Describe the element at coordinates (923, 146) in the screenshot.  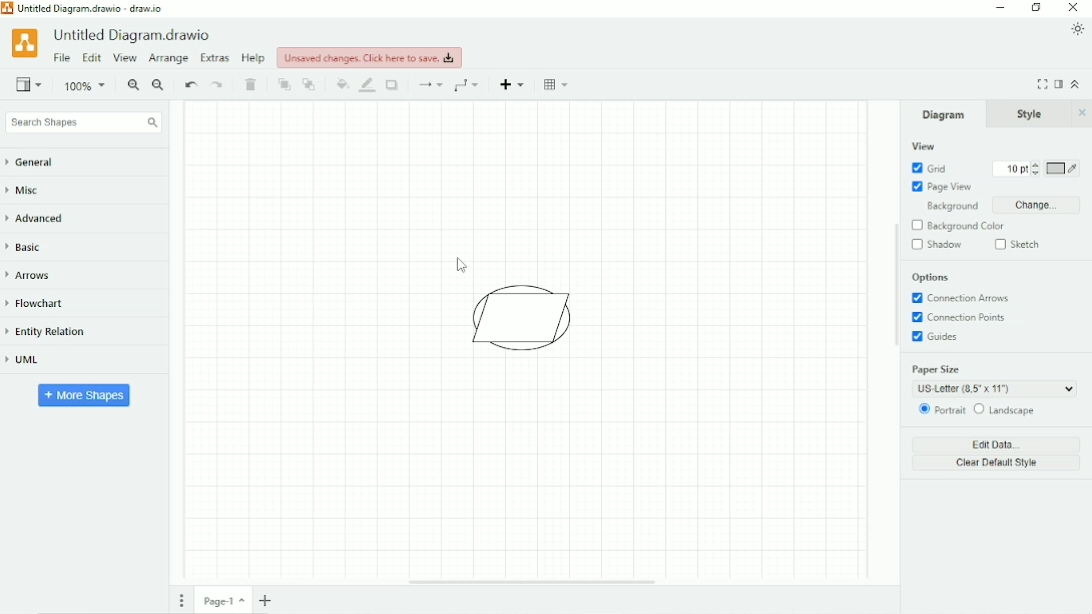
I see `View` at that location.